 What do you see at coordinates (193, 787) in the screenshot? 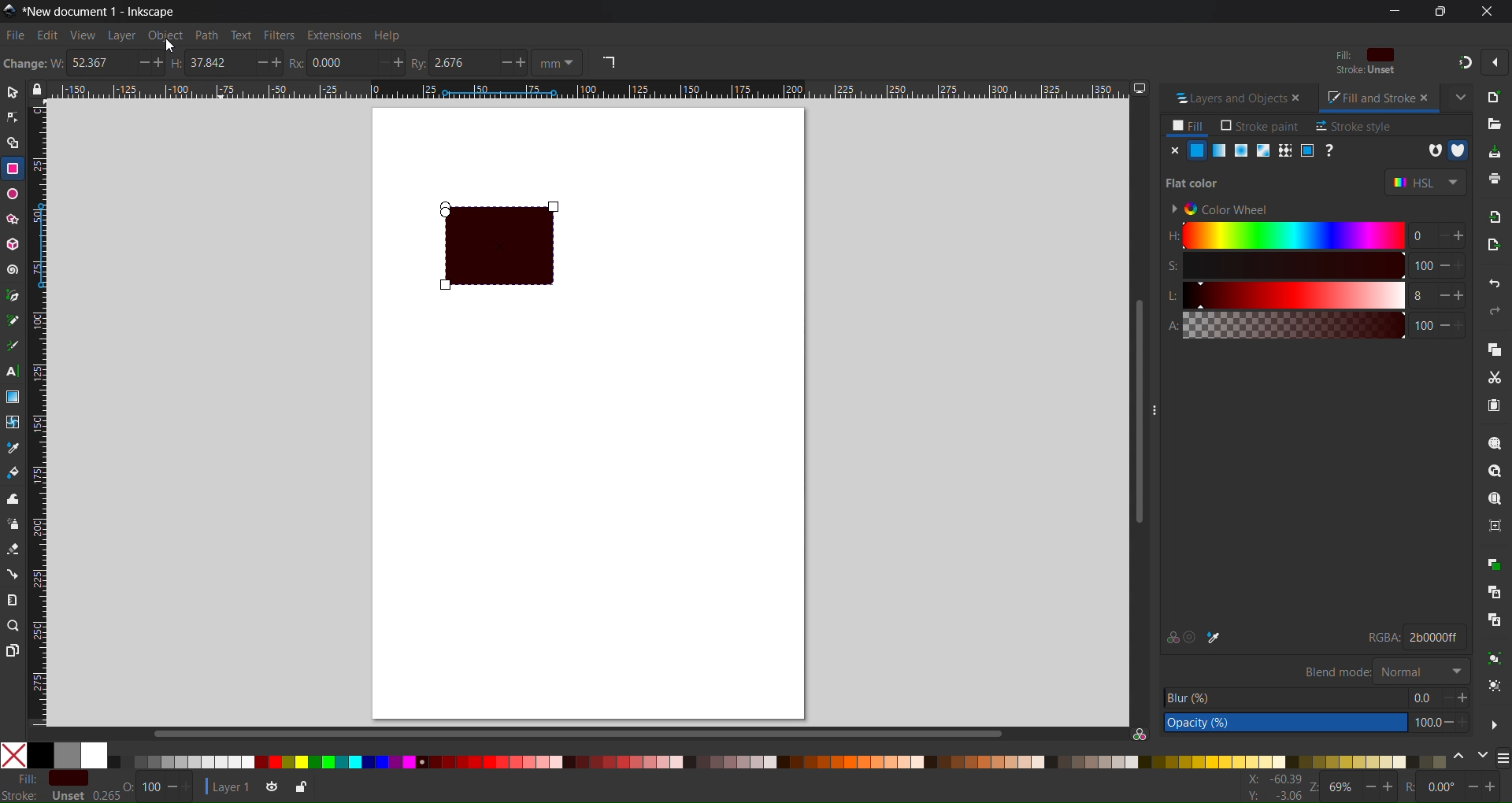
I see `Maximize opacity` at bounding box center [193, 787].